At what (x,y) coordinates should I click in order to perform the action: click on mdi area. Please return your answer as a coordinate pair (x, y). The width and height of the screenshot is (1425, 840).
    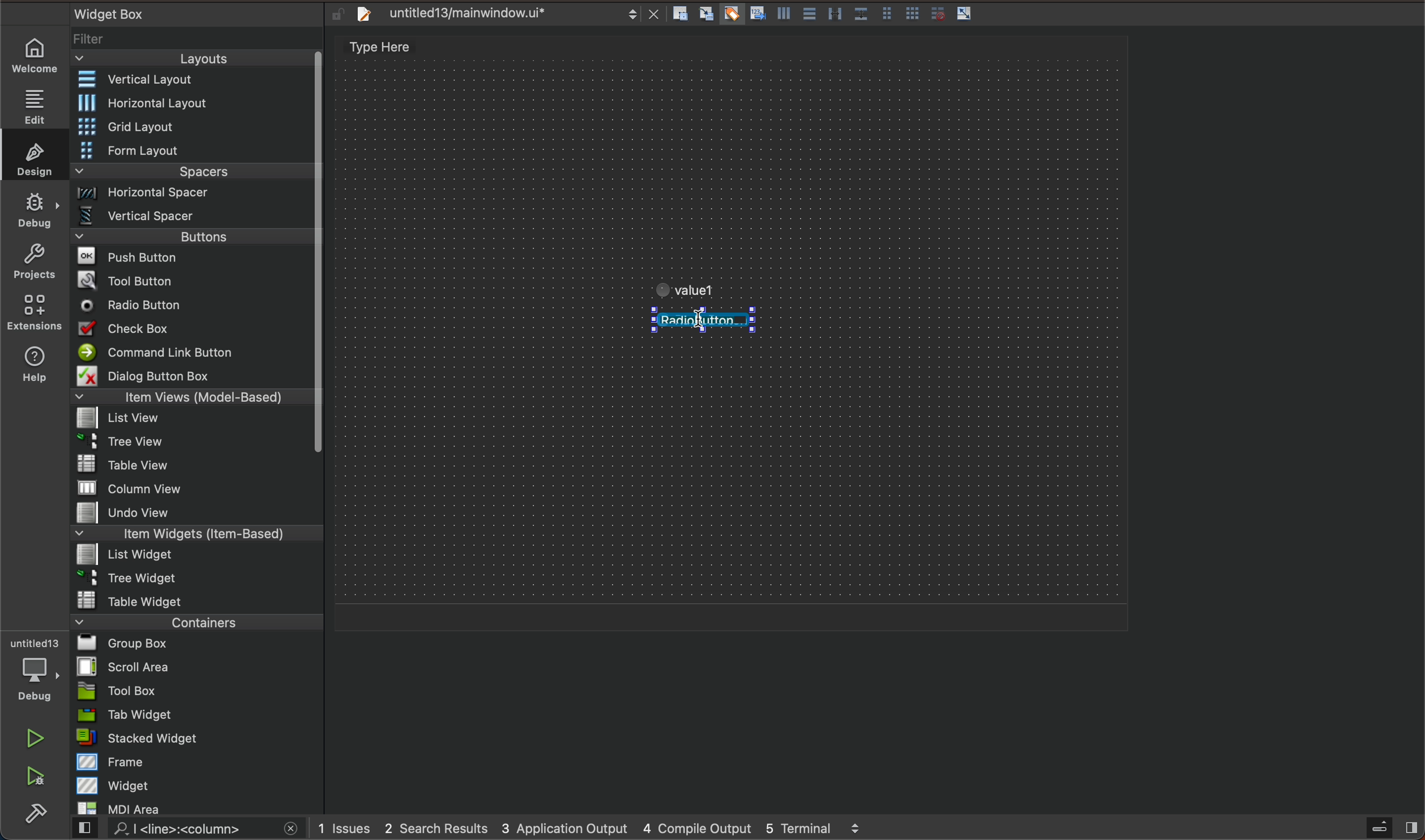
    Looking at the image, I should click on (196, 806).